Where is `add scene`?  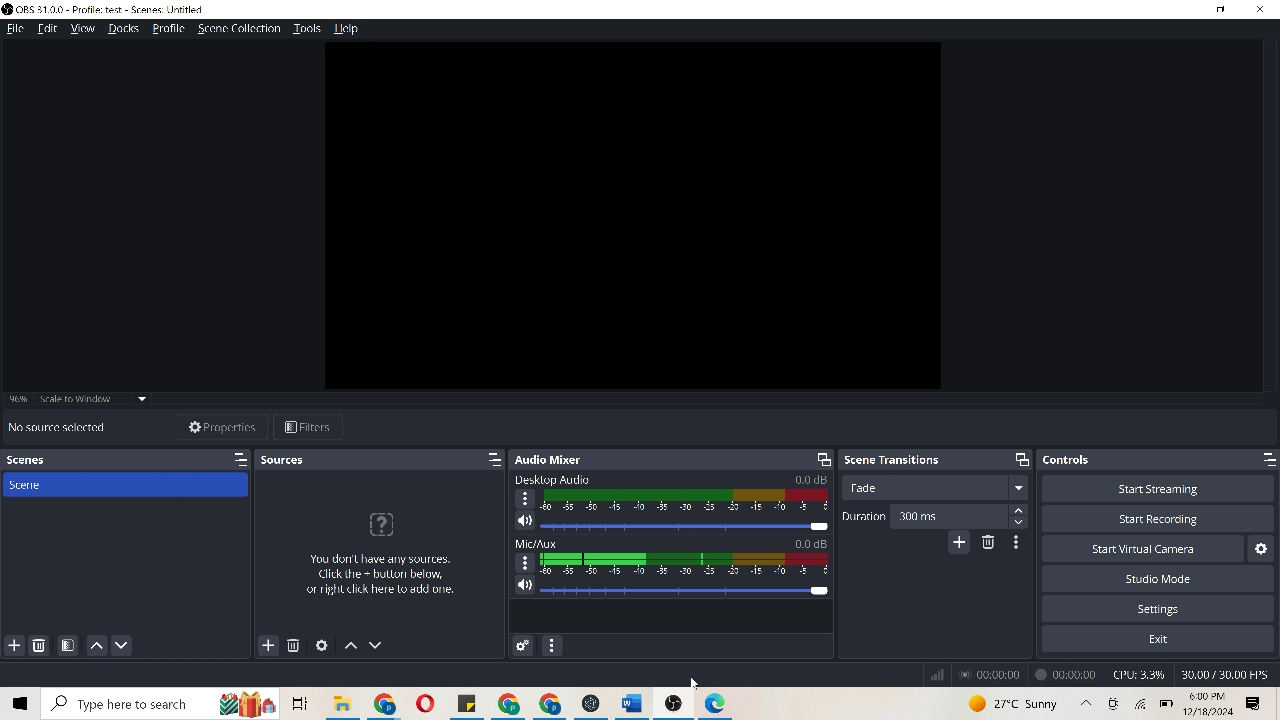
add scene is located at coordinates (13, 644).